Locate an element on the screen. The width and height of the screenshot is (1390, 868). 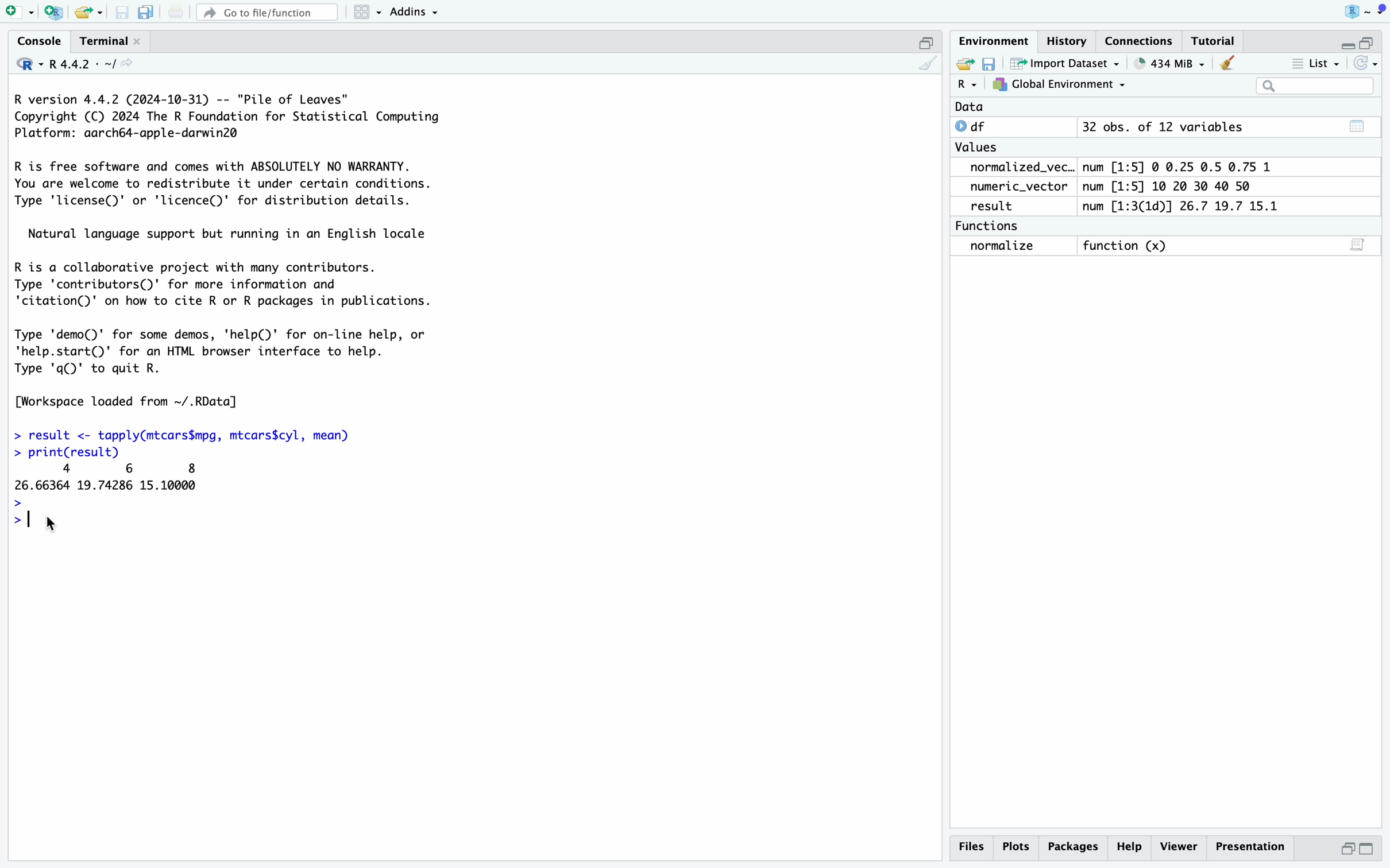
num [1:5] © 0.25 0.5 0.75 1 is located at coordinates (1183, 166).